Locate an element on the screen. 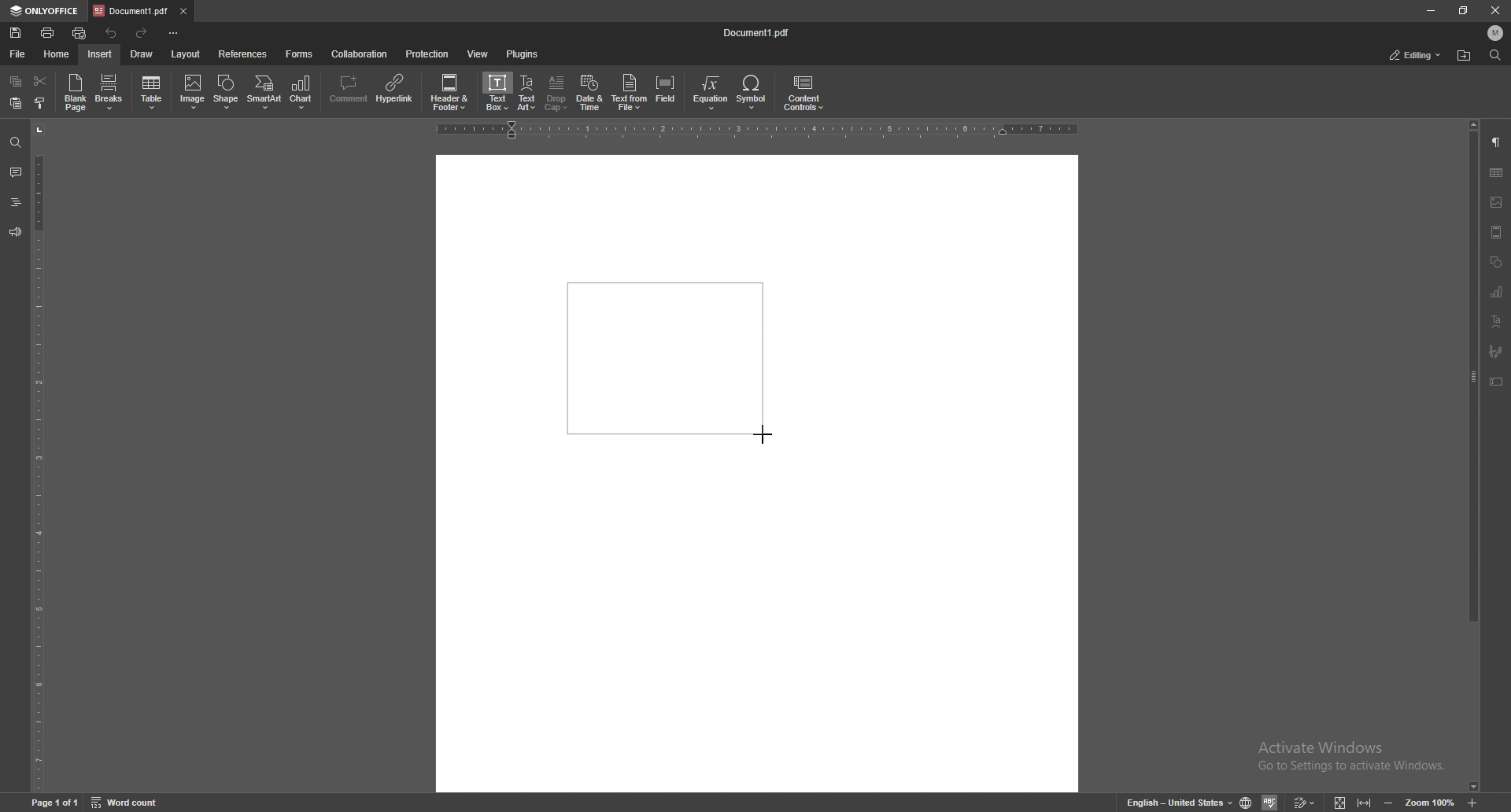  text box is located at coordinates (1497, 382).